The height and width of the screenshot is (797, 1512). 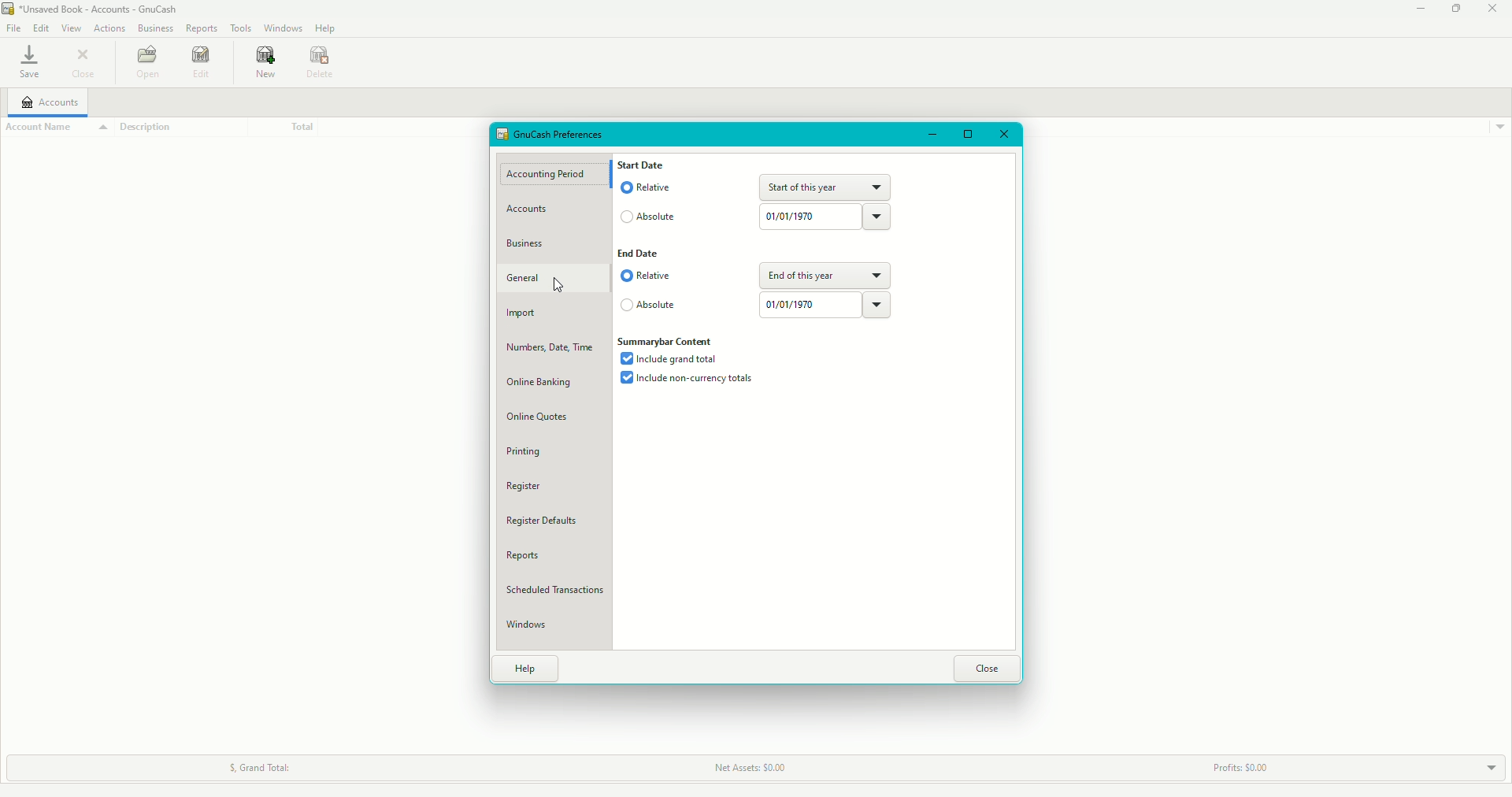 What do you see at coordinates (988, 668) in the screenshot?
I see `Close` at bounding box center [988, 668].